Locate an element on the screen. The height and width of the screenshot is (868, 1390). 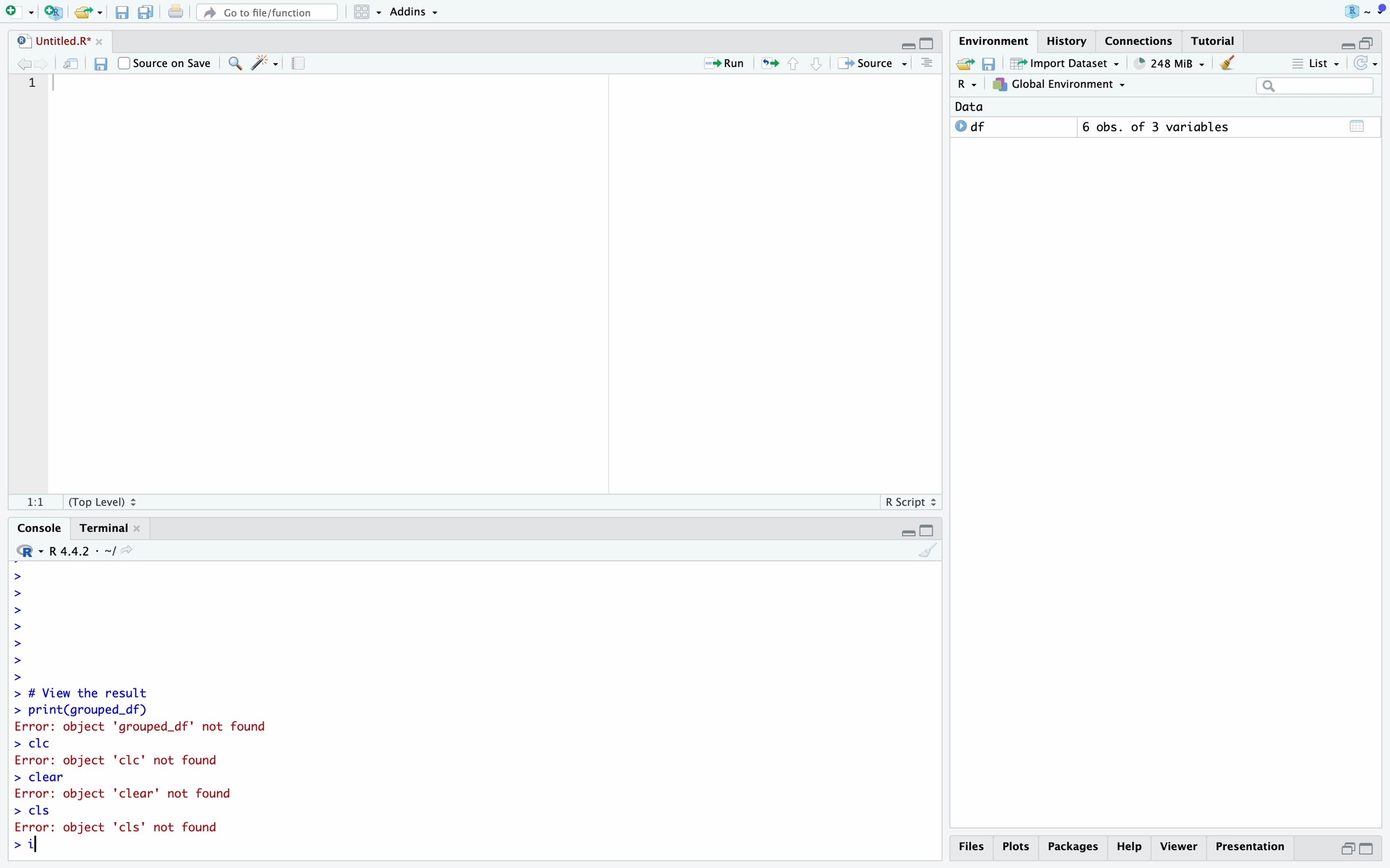
Clear is located at coordinates (1229, 64).